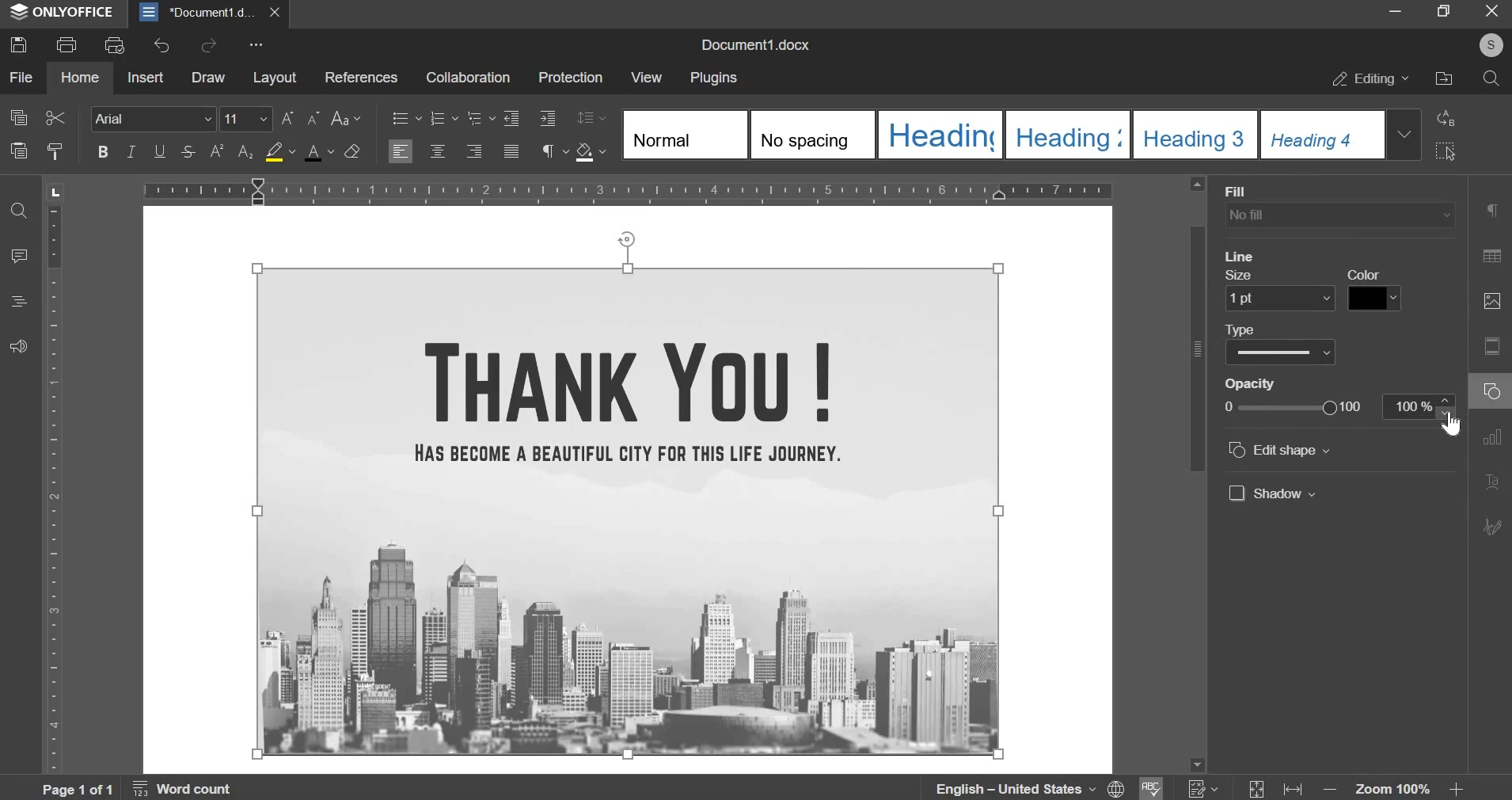 The height and width of the screenshot is (800, 1512). I want to click on file location, so click(1443, 78).